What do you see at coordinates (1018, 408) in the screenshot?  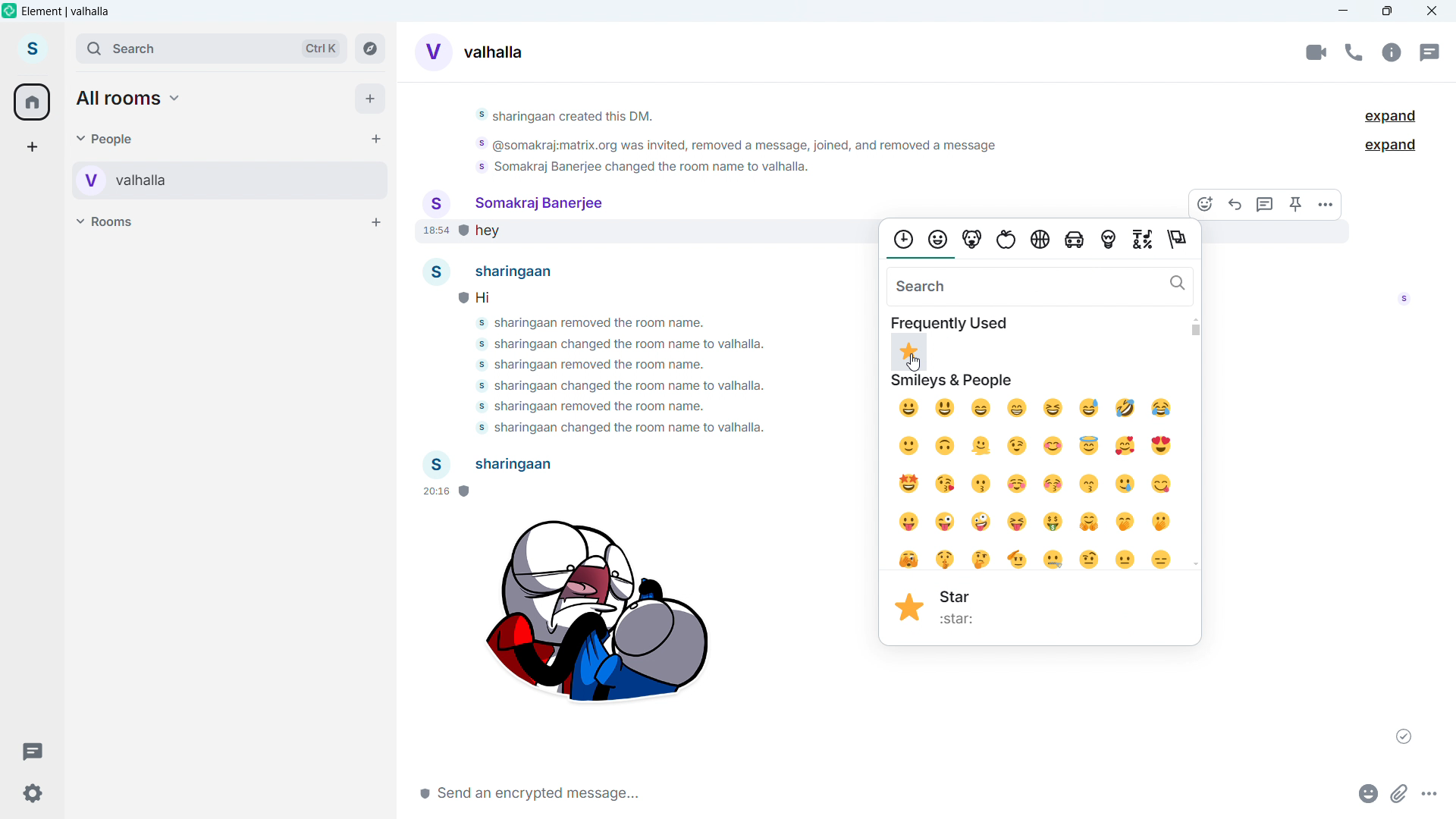 I see `beaming face with smiling eyes` at bounding box center [1018, 408].